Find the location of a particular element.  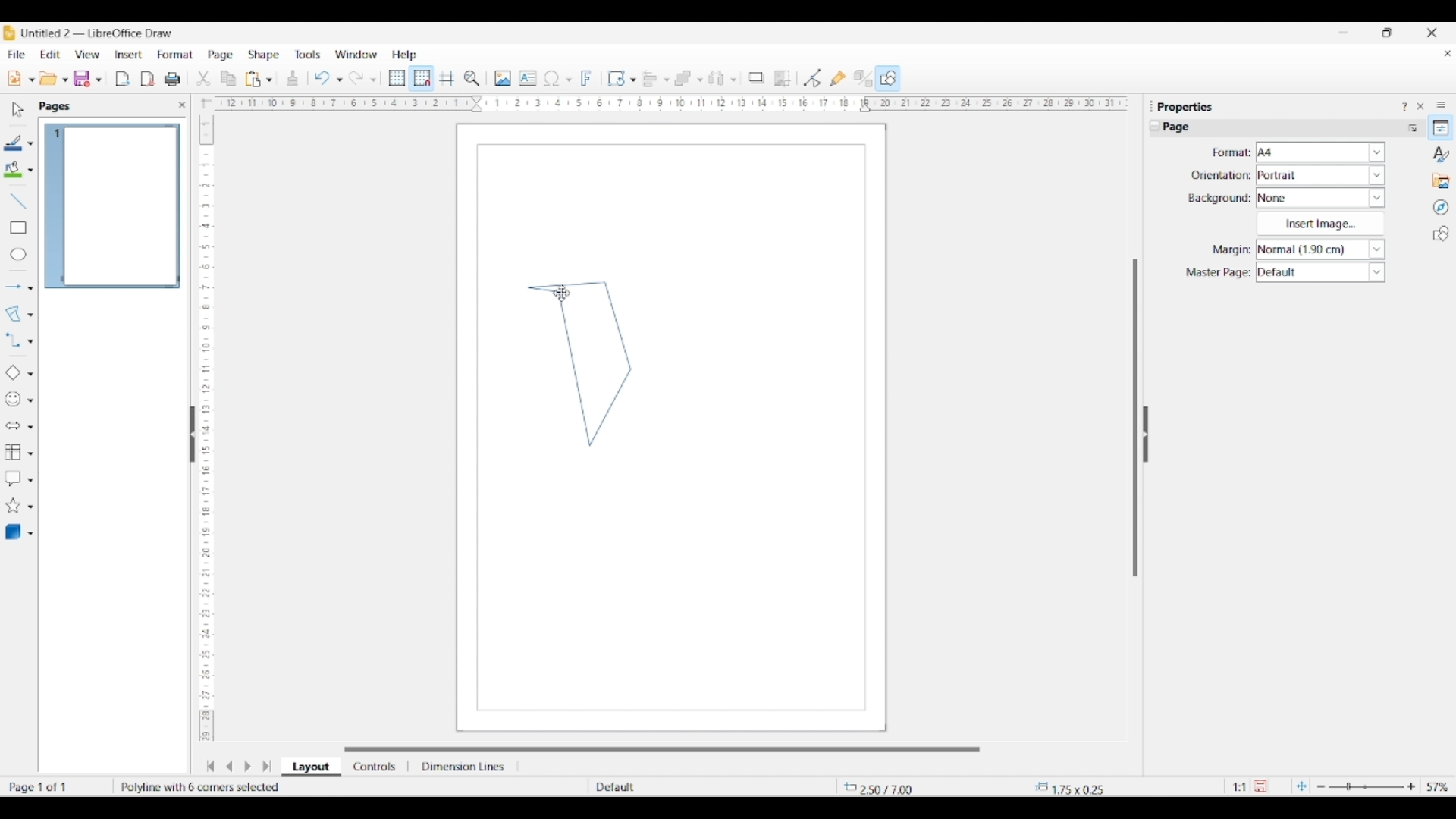

Insert is located at coordinates (129, 55).